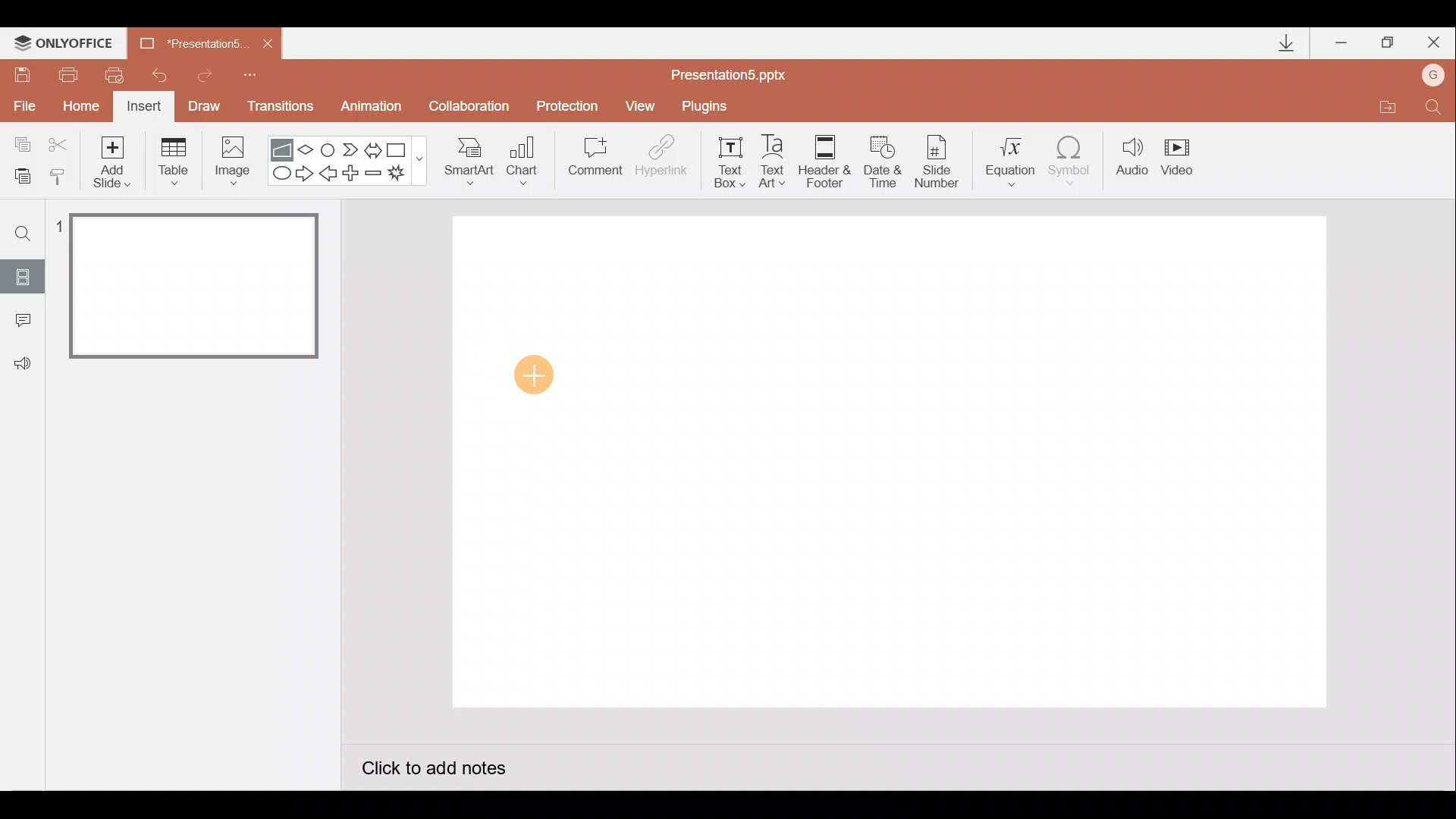 The height and width of the screenshot is (819, 1456). I want to click on Left right arrow, so click(375, 147).